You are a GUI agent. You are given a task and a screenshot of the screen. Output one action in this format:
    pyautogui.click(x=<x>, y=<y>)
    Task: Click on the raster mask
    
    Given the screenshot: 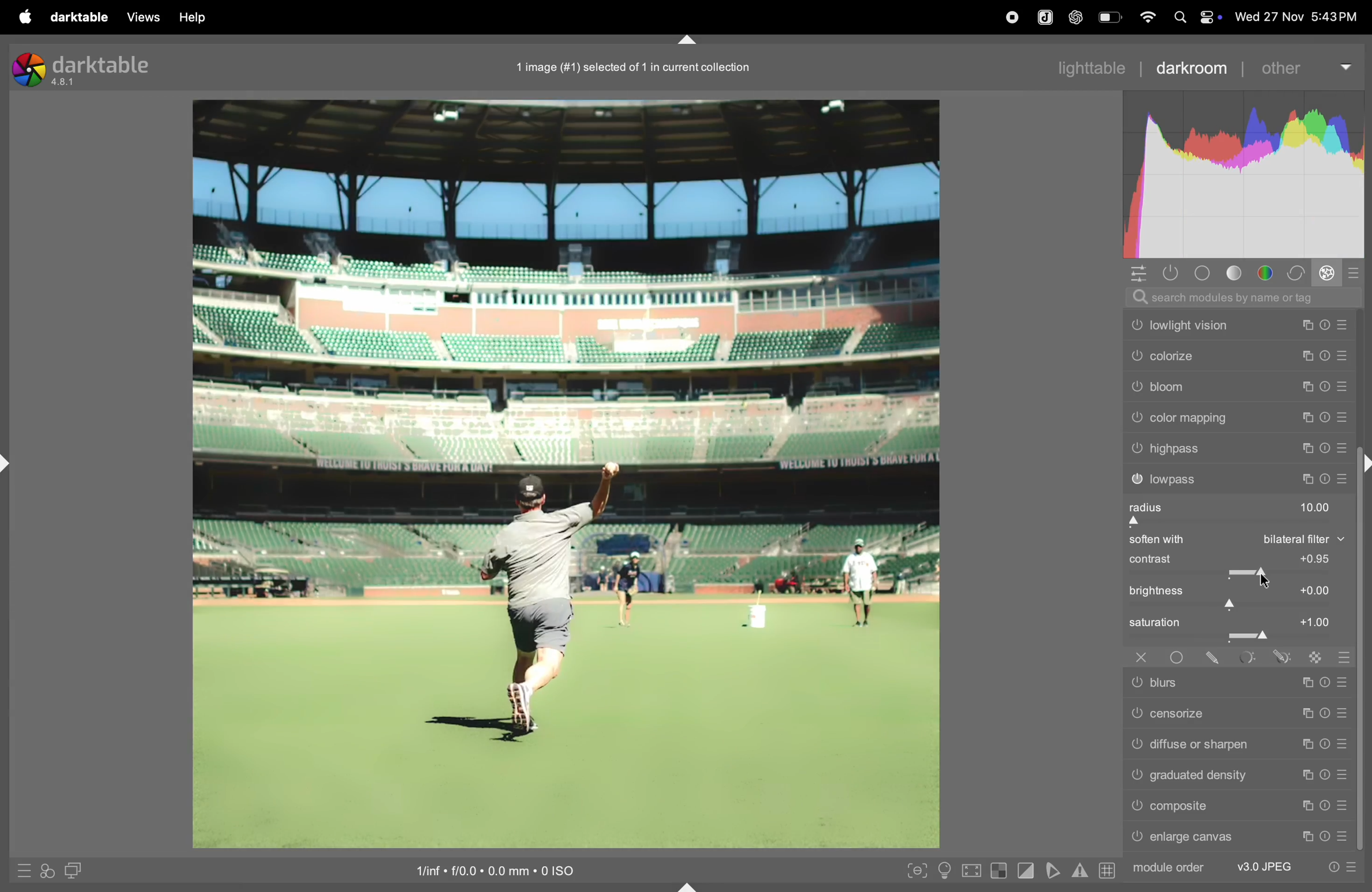 What is the action you would take?
    pyautogui.click(x=1314, y=660)
    